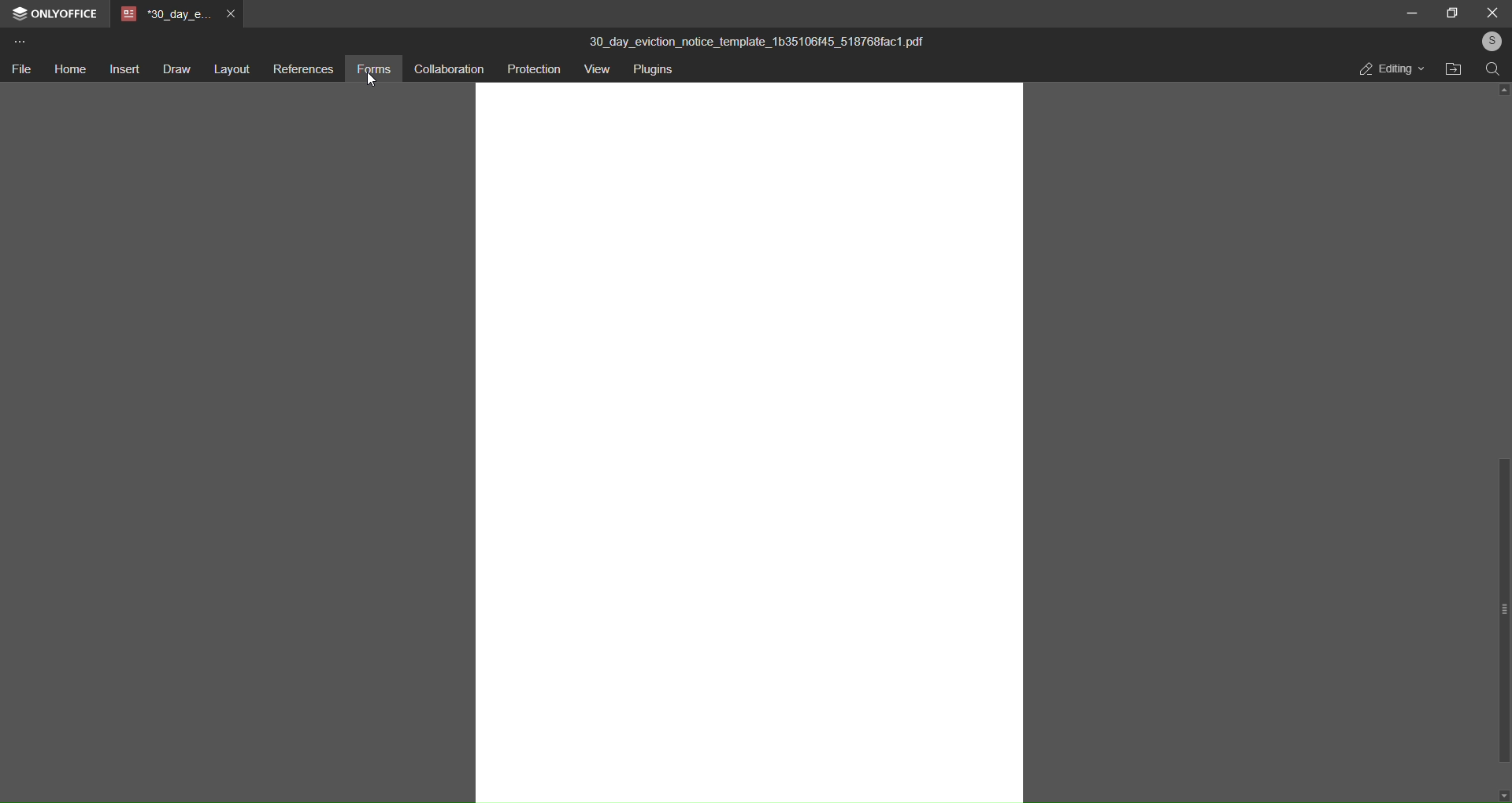 Image resolution: width=1512 pixels, height=803 pixels. I want to click on minimize, so click(1410, 11).